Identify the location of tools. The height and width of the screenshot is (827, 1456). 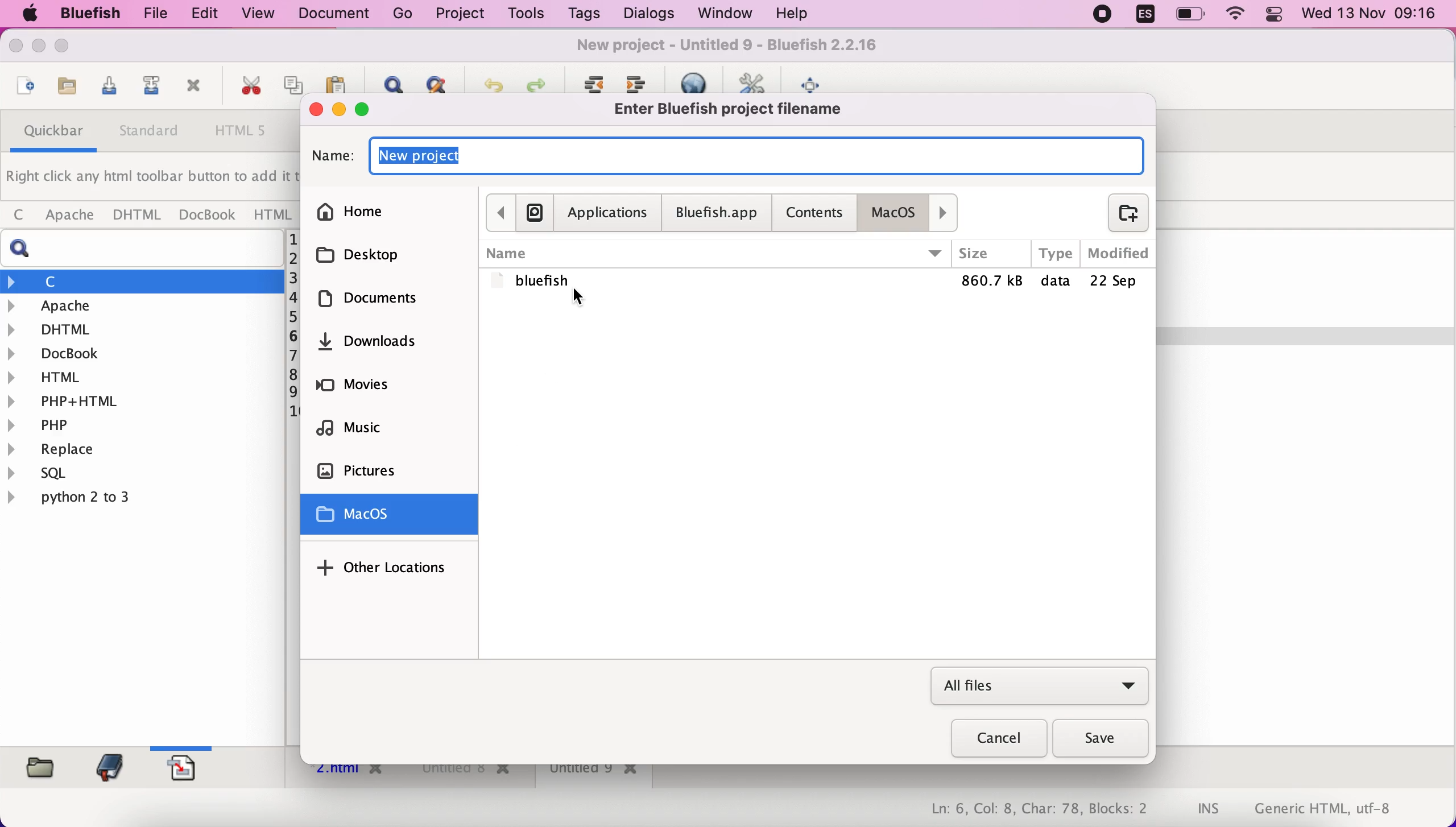
(523, 15).